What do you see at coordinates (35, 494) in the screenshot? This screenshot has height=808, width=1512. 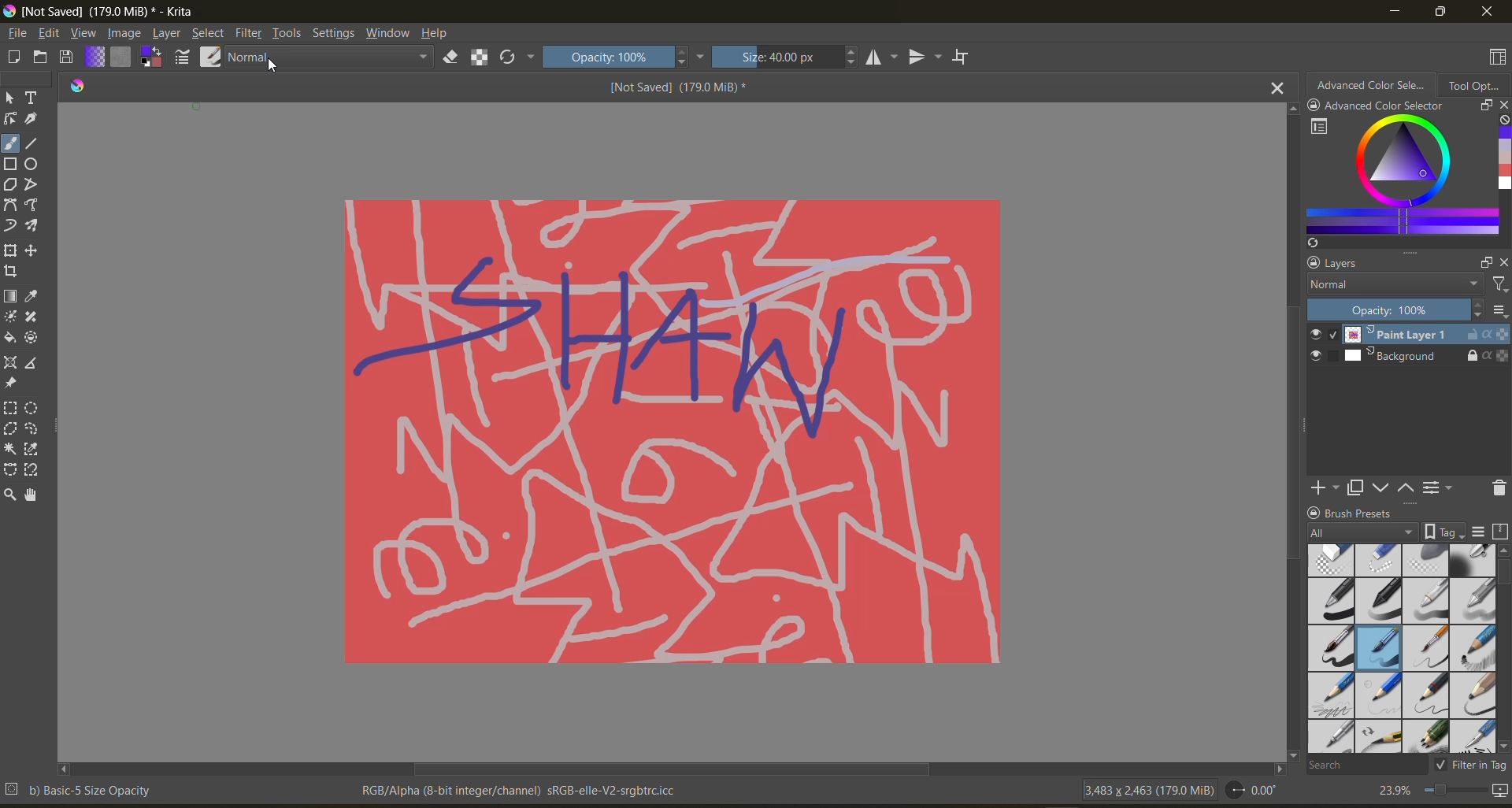 I see `pan tool` at bounding box center [35, 494].